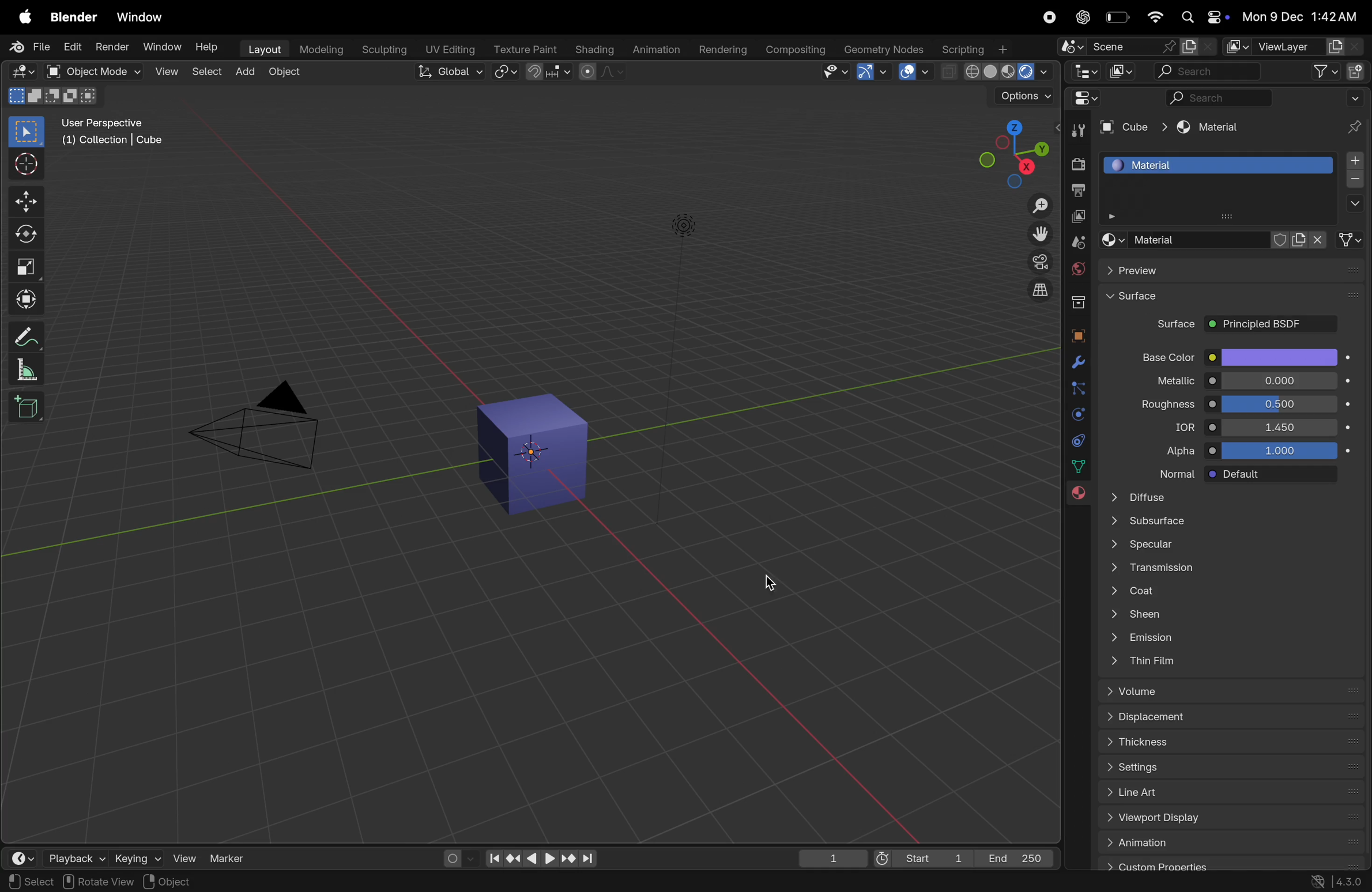 This screenshot has height=892, width=1372. Describe the element at coordinates (1076, 242) in the screenshot. I see `scene` at that location.